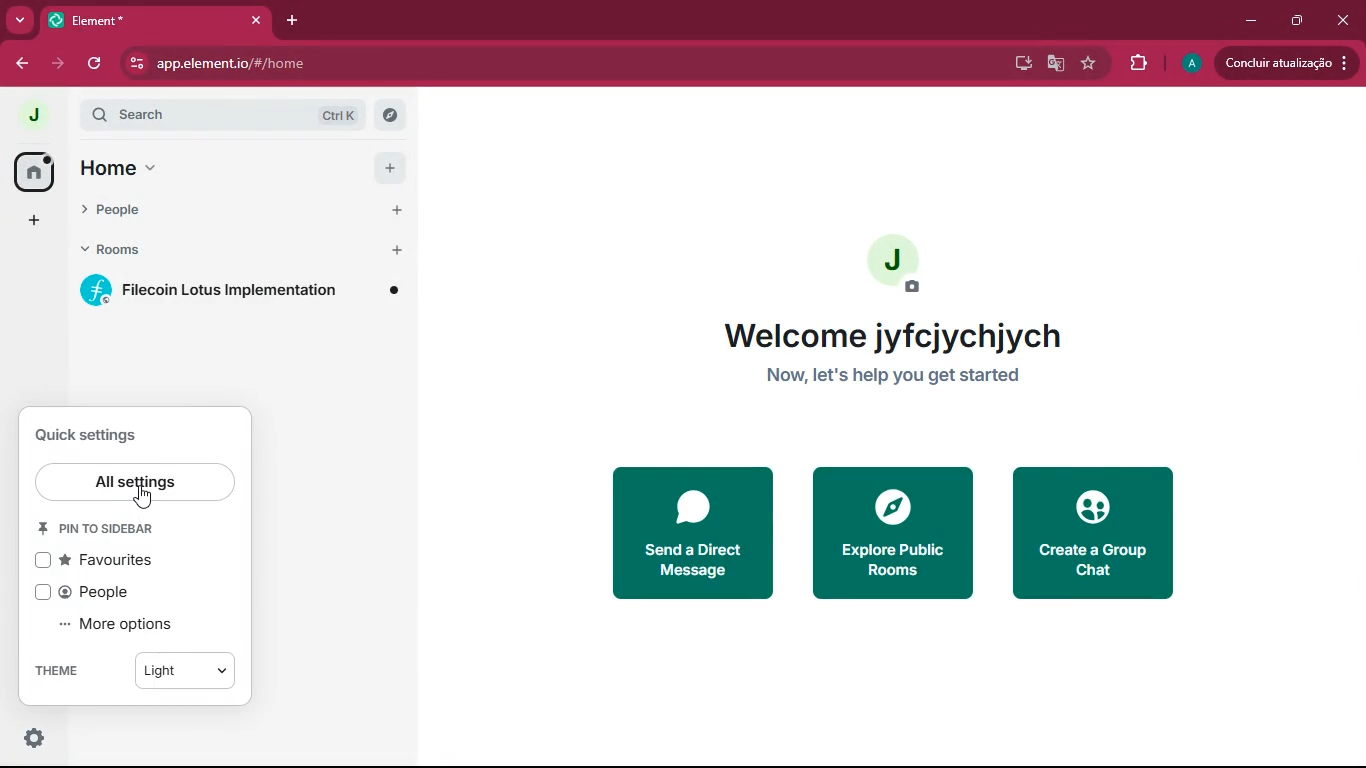 This screenshot has height=768, width=1366. What do you see at coordinates (240, 114) in the screenshot?
I see `search` at bounding box center [240, 114].